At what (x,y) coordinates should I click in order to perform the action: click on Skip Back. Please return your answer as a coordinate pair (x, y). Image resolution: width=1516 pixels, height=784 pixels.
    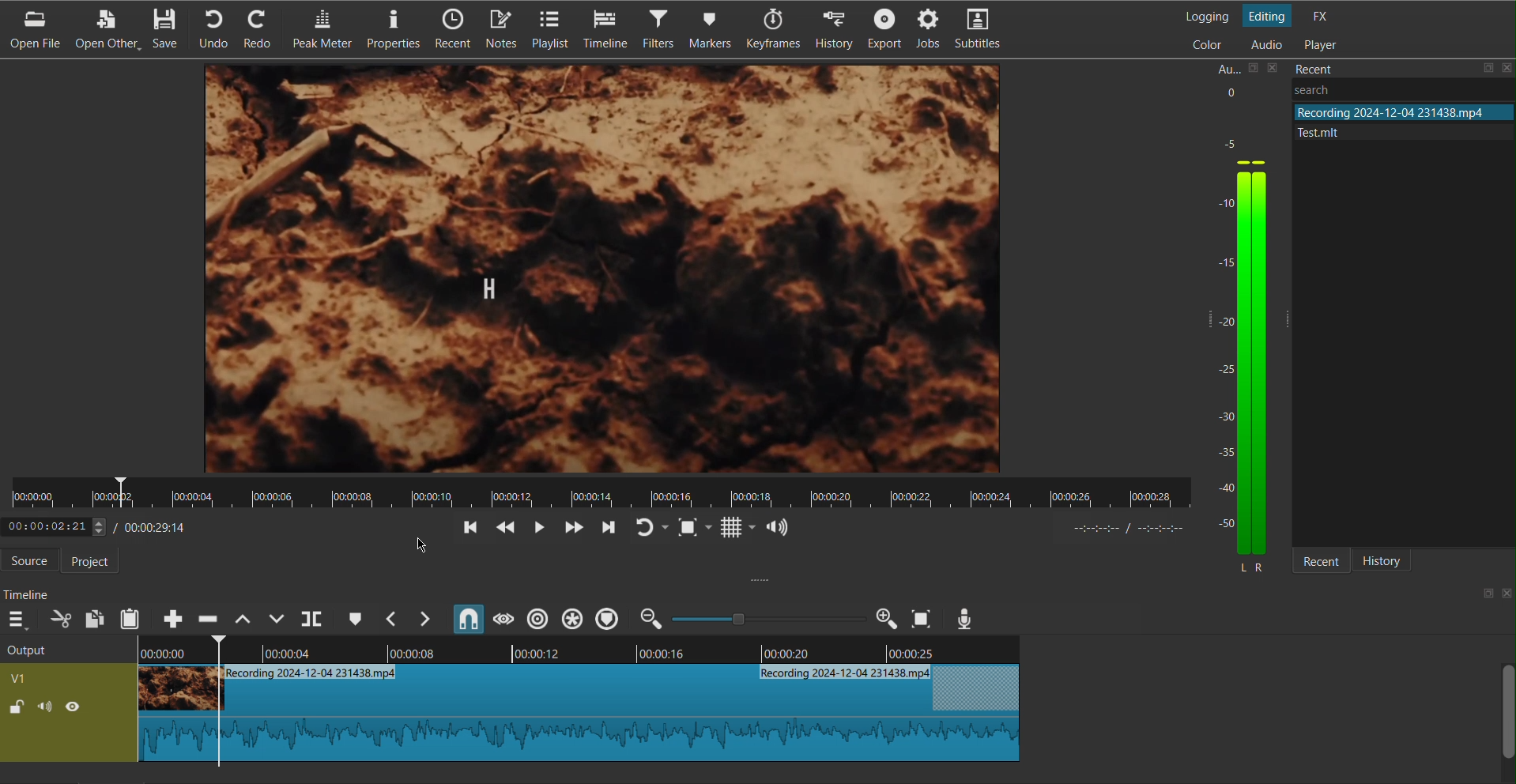
    Looking at the image, I should click on (507, 529).